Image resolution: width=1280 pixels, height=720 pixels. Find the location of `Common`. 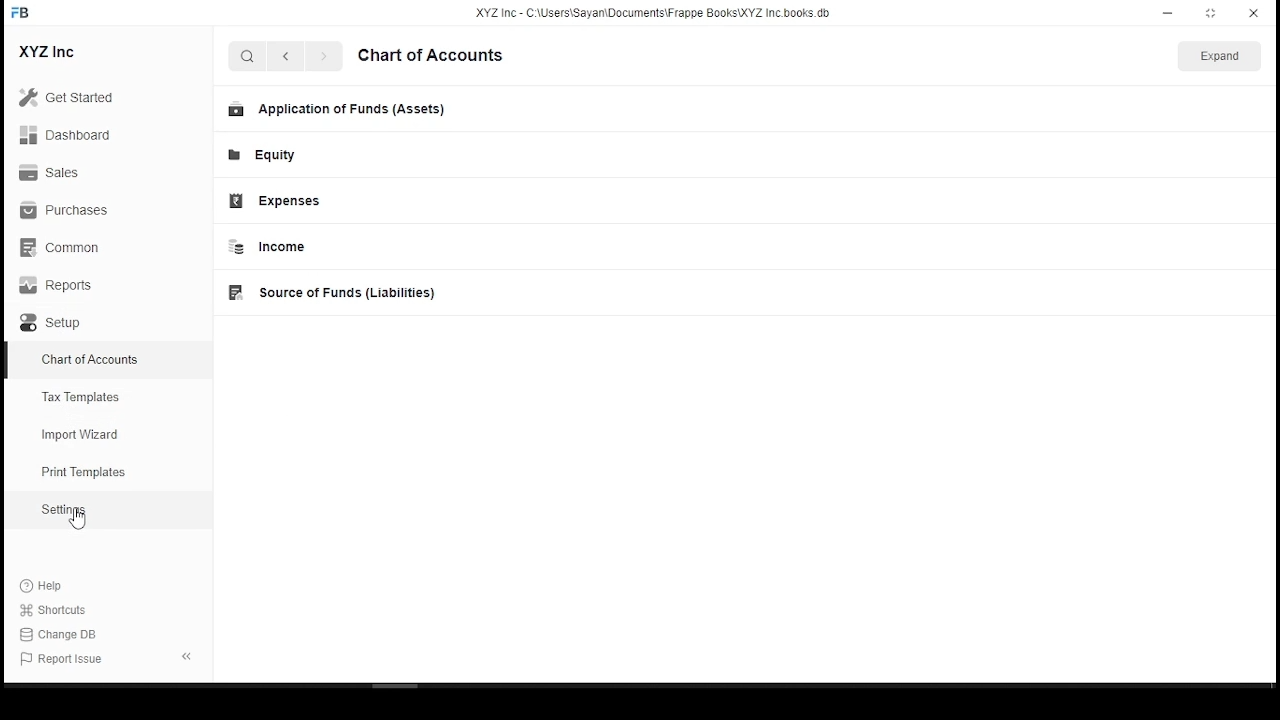

Common is located at coordinates (61, 247).